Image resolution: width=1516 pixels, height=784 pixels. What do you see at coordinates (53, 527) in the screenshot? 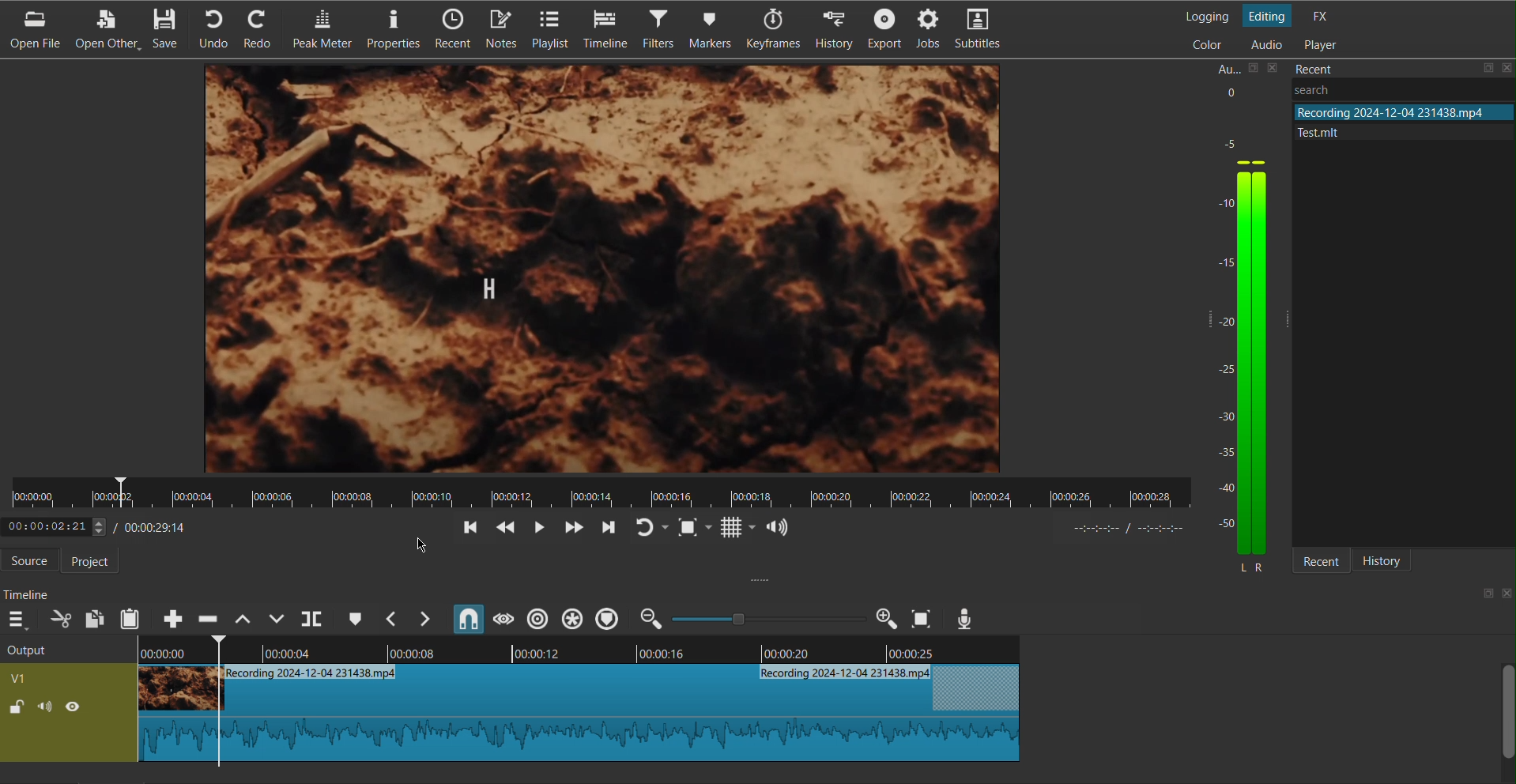
I see `elapsed time` at bounding box center [53, 527].